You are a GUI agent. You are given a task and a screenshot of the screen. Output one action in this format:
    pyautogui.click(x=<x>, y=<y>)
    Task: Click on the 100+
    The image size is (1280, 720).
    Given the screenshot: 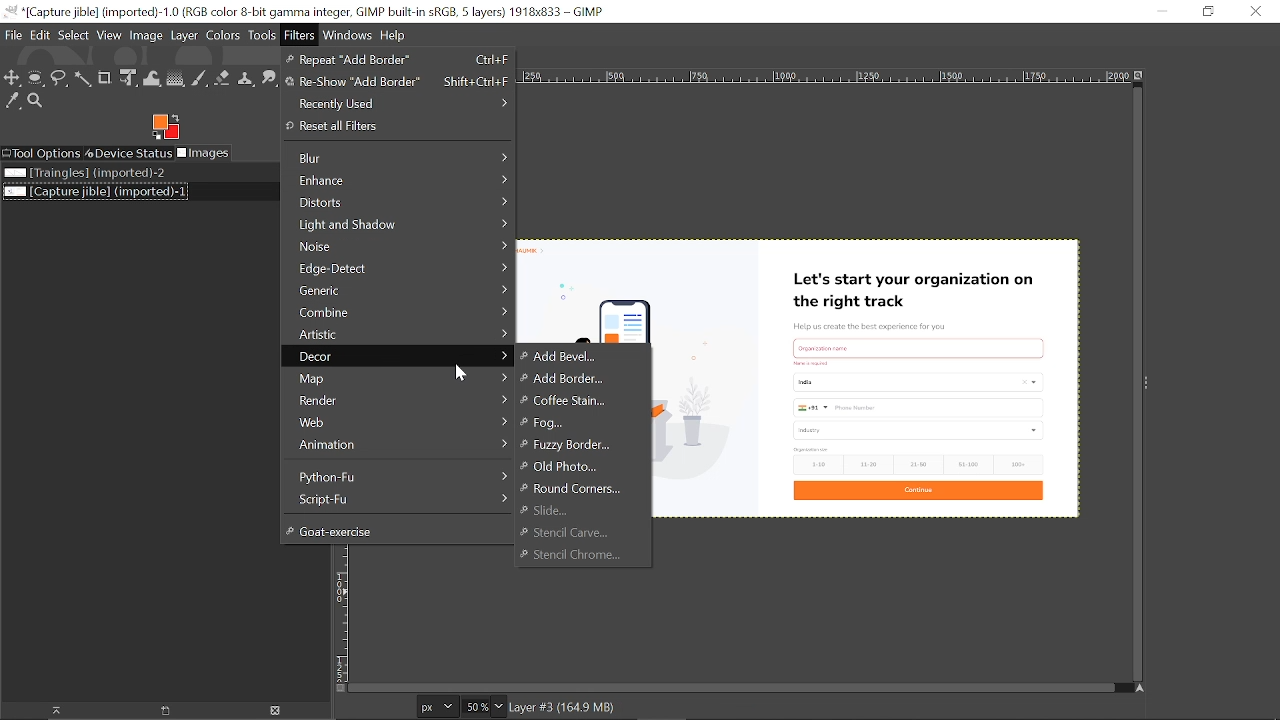 What is the action you would take?
    pyautogui.click(x=1024, y=465)
    